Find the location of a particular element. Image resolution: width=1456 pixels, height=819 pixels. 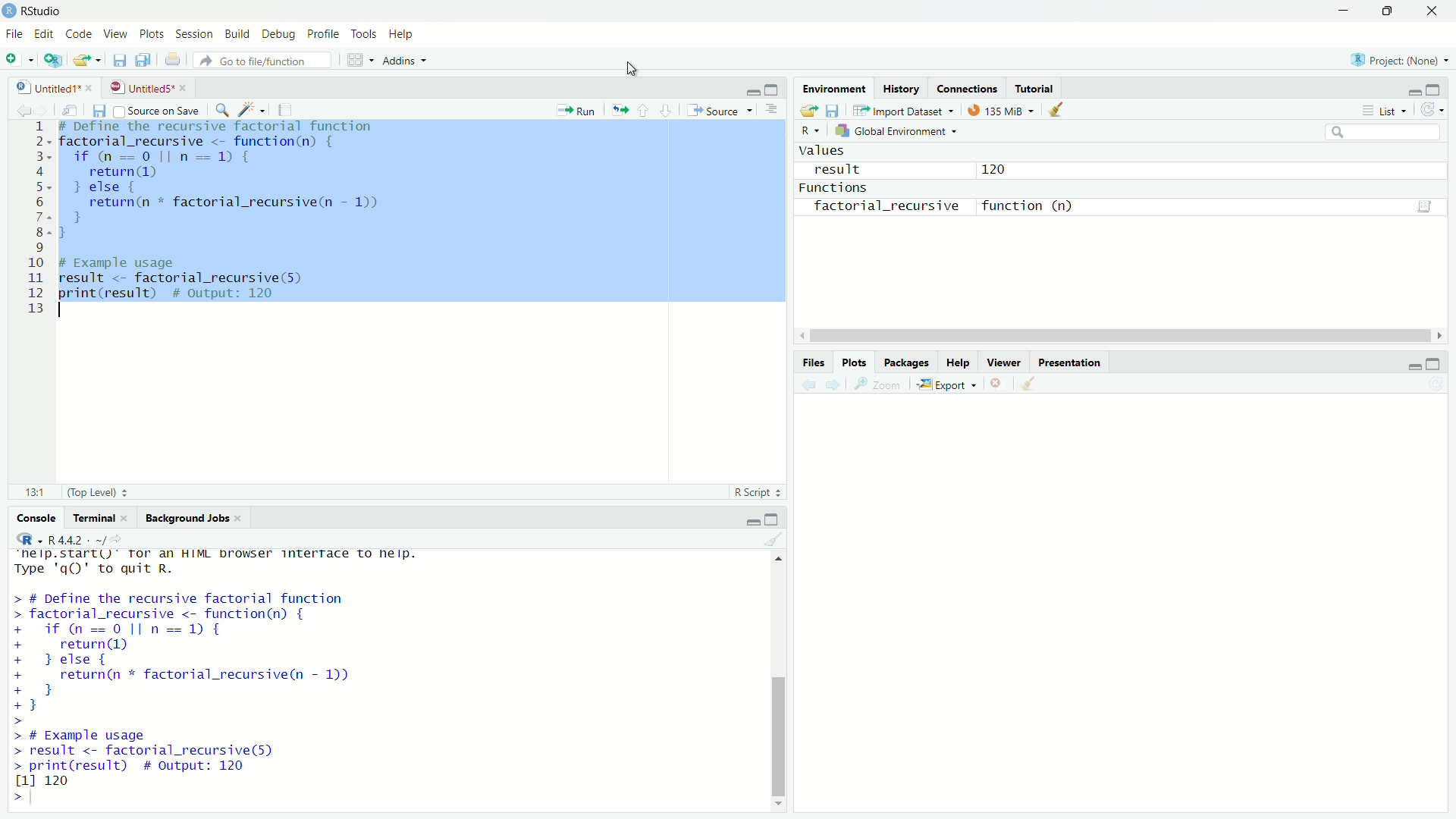

Workspace panes is located at coordinates (359, 61).